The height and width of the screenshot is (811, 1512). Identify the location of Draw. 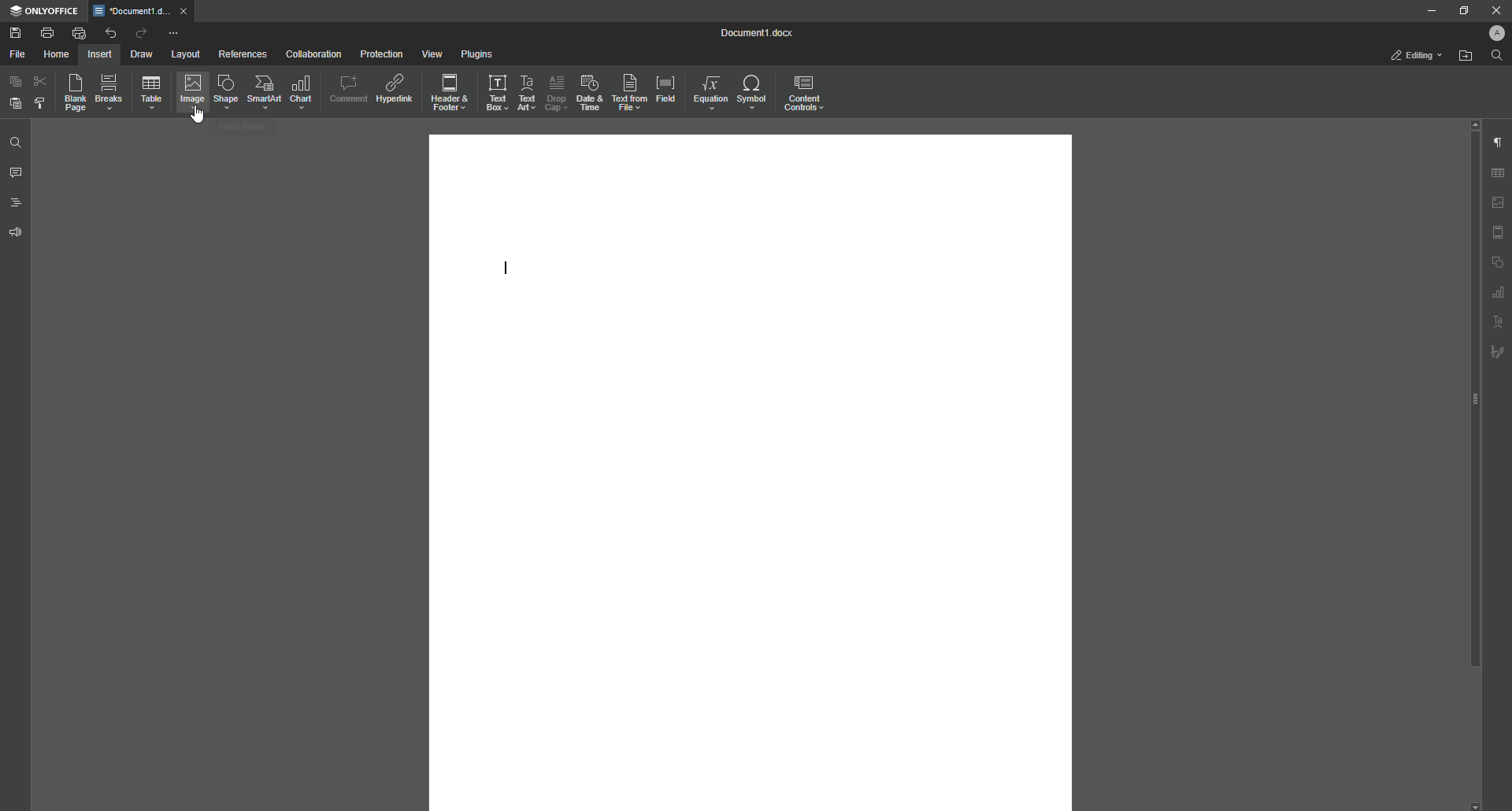
(142, 56).